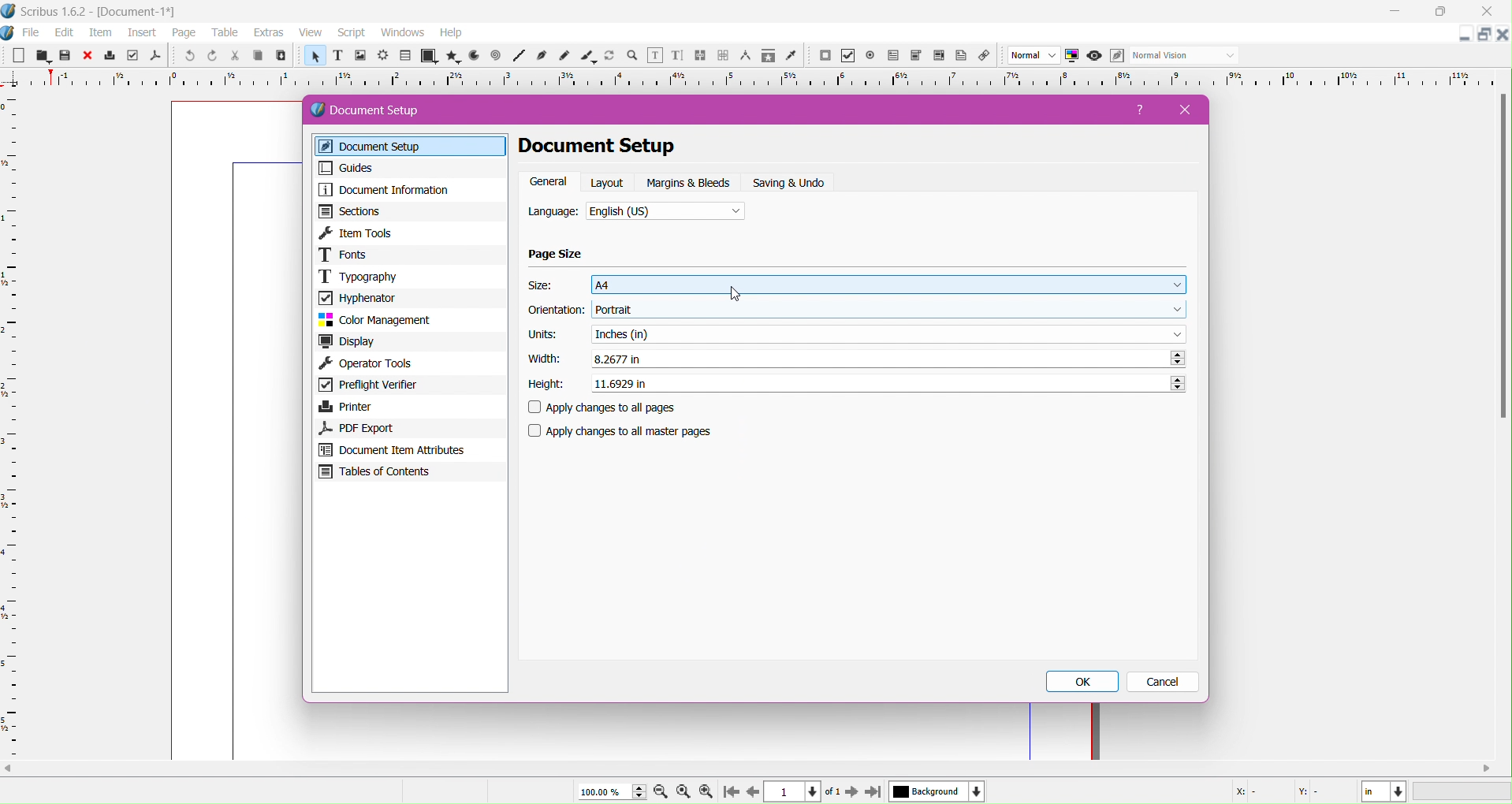  I want to click on Width, so click(542, 359).